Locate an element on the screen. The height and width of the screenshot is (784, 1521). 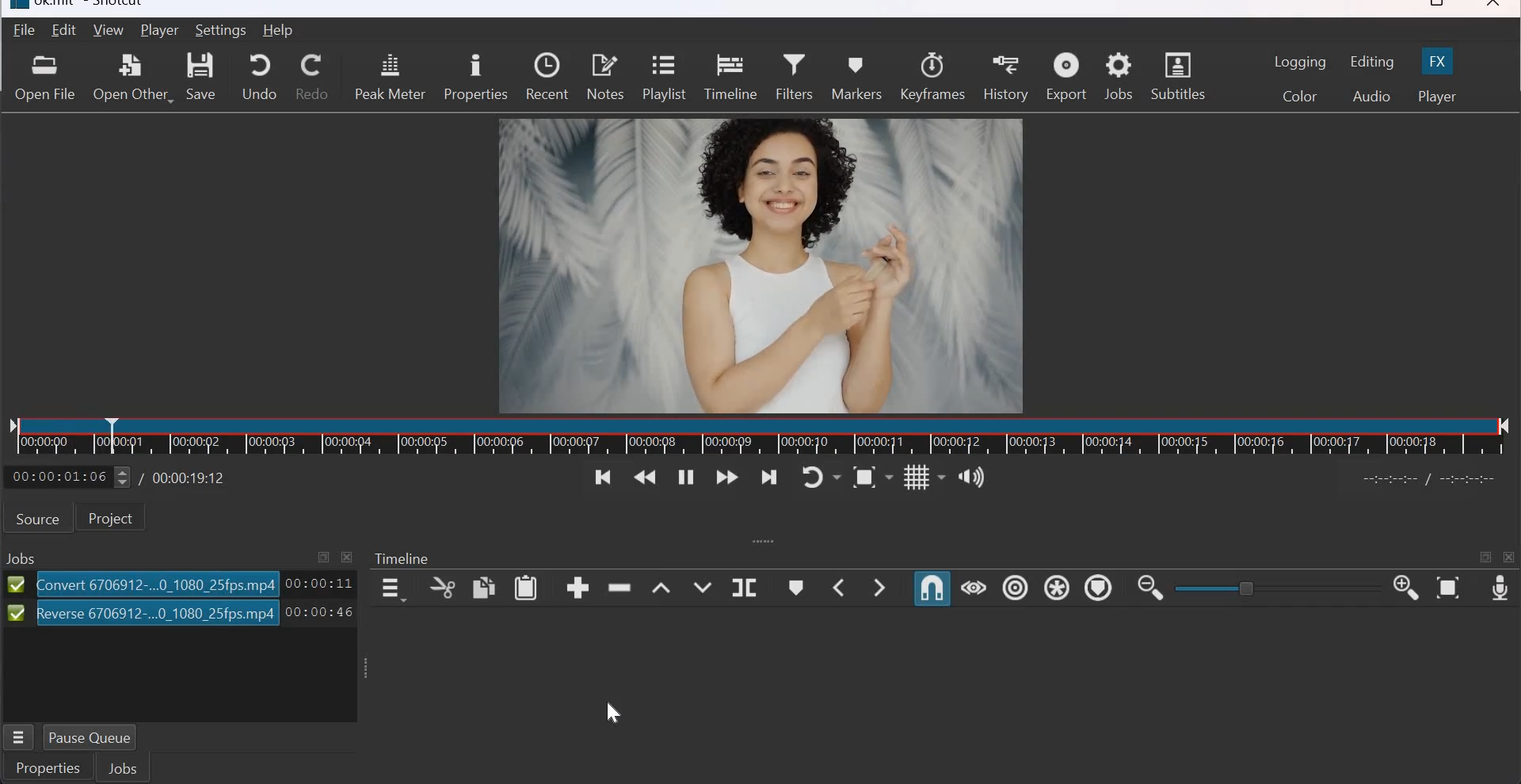
Open file is located at coordinates (44, 78).